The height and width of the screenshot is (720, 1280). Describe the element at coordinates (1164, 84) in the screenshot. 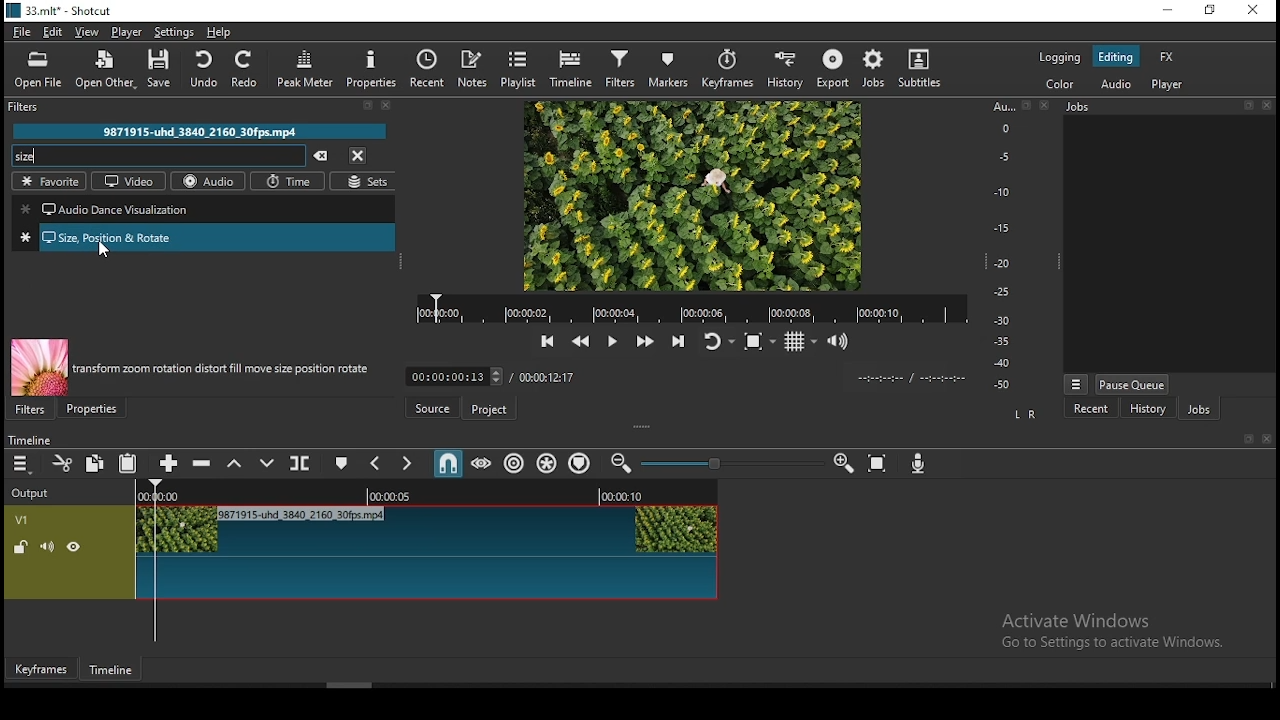

I see `player` at that location.